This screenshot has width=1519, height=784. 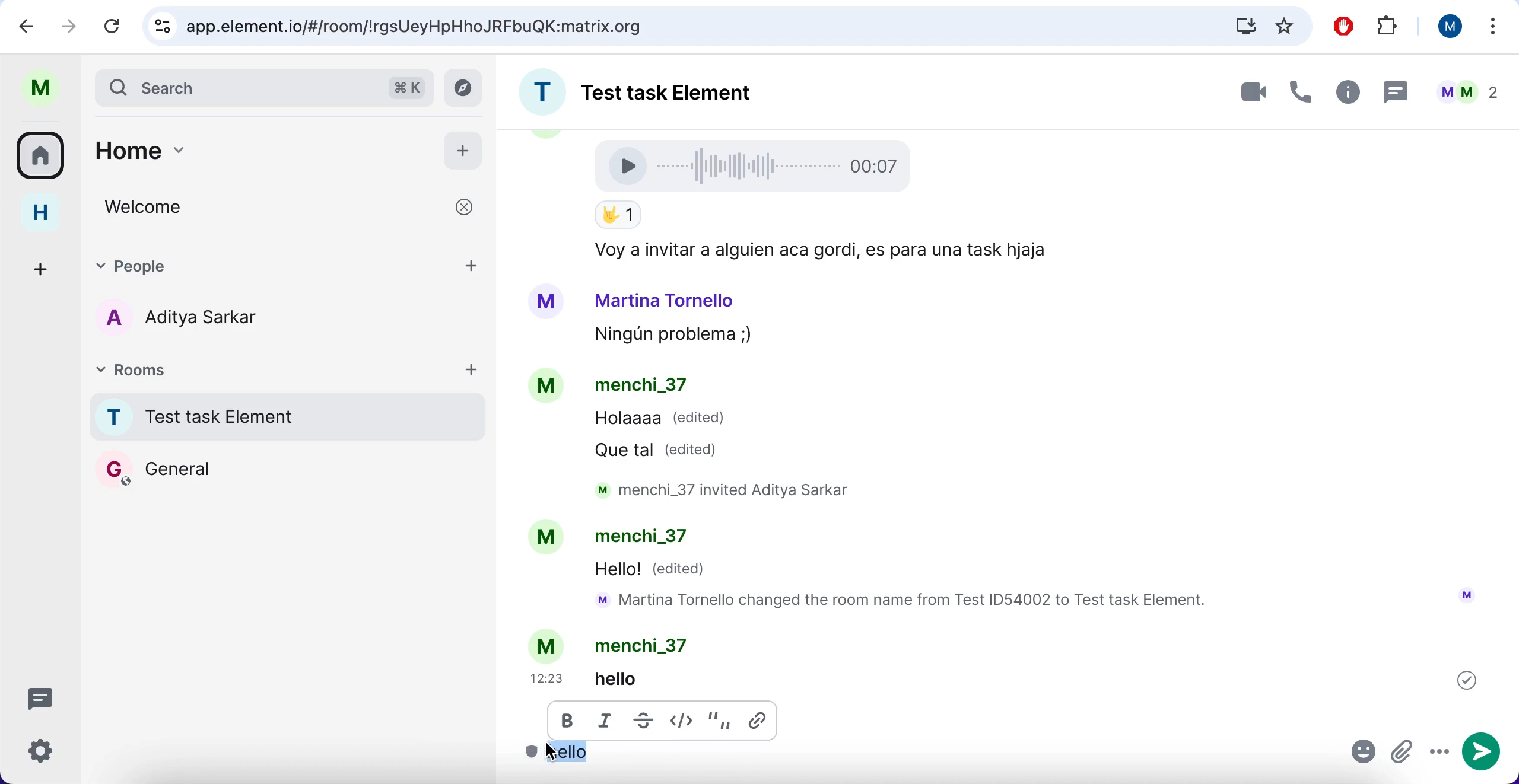 What do you see at coordinates (647, 645) in the screenshot?
I see `menchi_37` at bounding box center [647, 645].